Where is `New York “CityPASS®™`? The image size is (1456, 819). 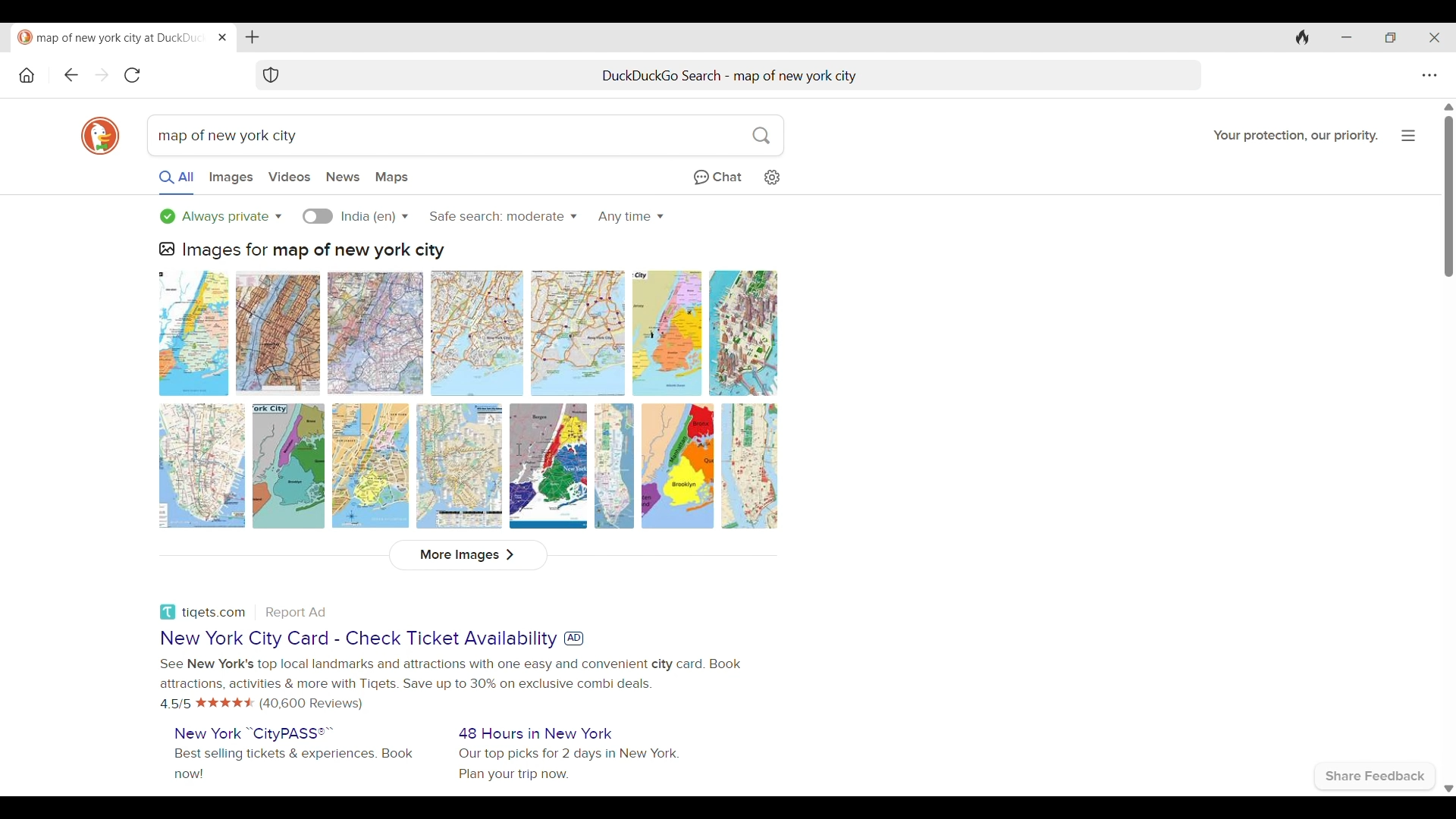 New York “CityPASS®™ is located at coordinates (255, 733).